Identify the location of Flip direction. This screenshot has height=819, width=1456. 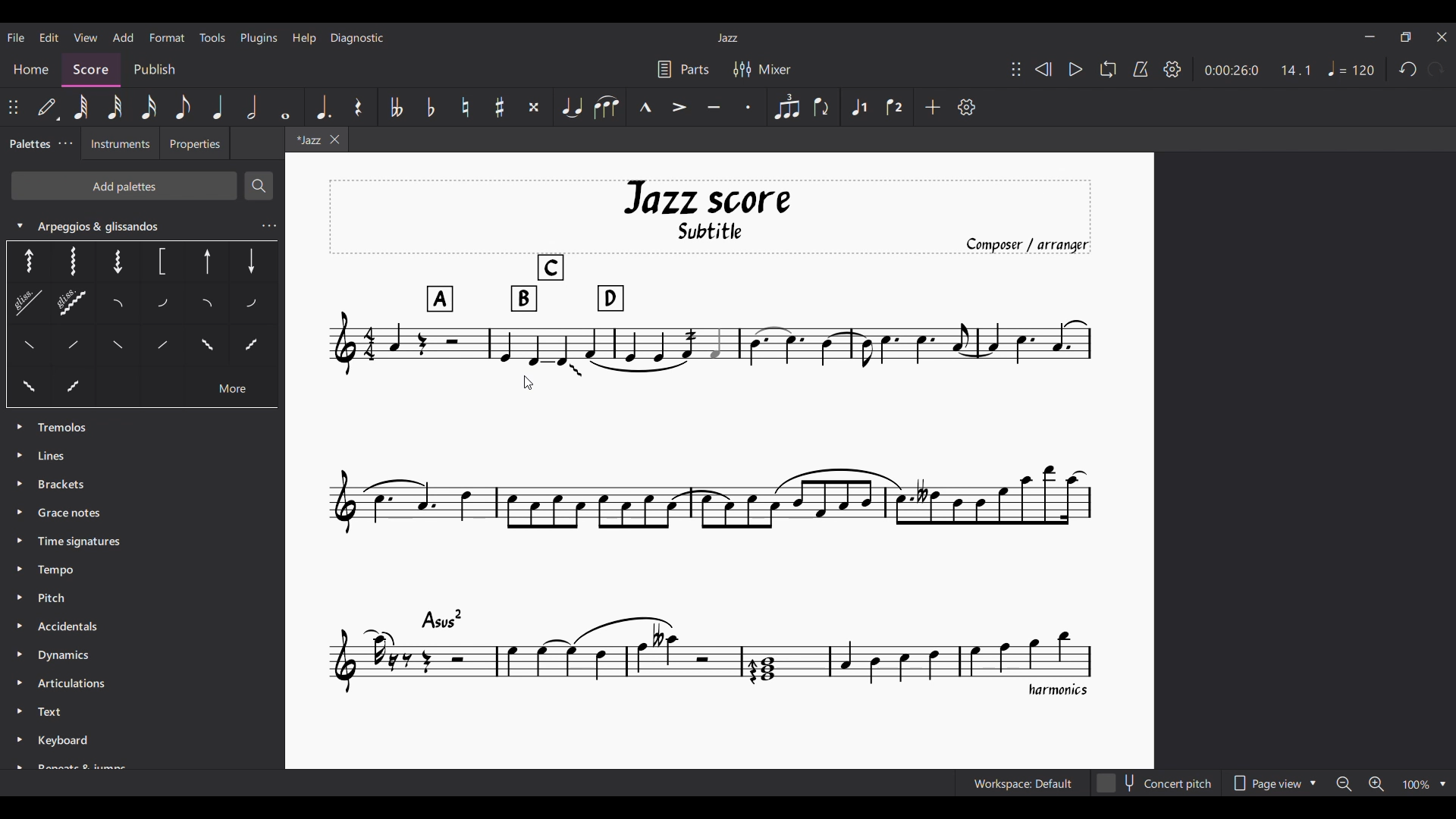
(823, 107).